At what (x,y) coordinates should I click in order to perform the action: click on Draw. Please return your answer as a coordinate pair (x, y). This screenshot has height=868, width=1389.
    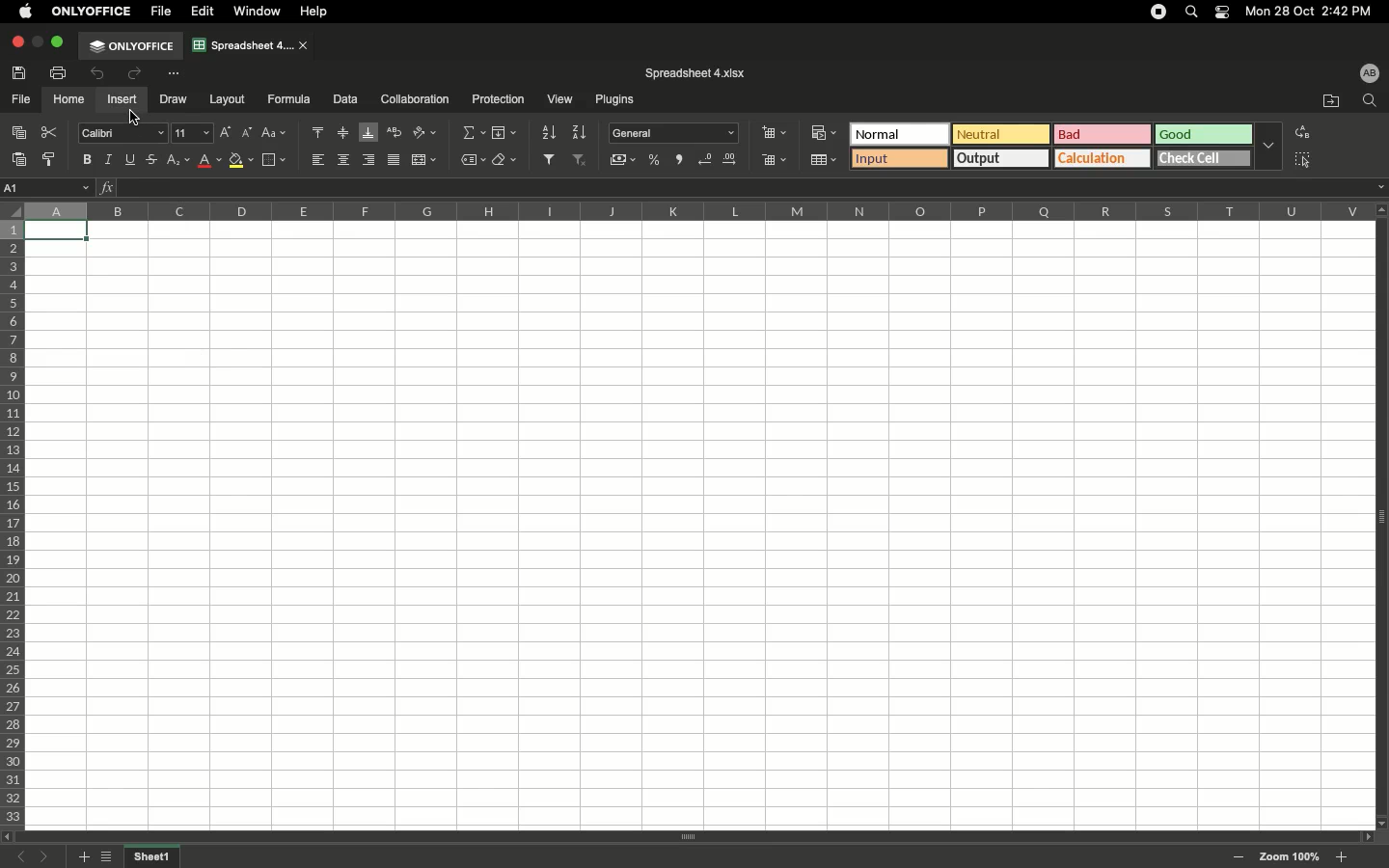
    Looking at the image, I should click on (176, 98).